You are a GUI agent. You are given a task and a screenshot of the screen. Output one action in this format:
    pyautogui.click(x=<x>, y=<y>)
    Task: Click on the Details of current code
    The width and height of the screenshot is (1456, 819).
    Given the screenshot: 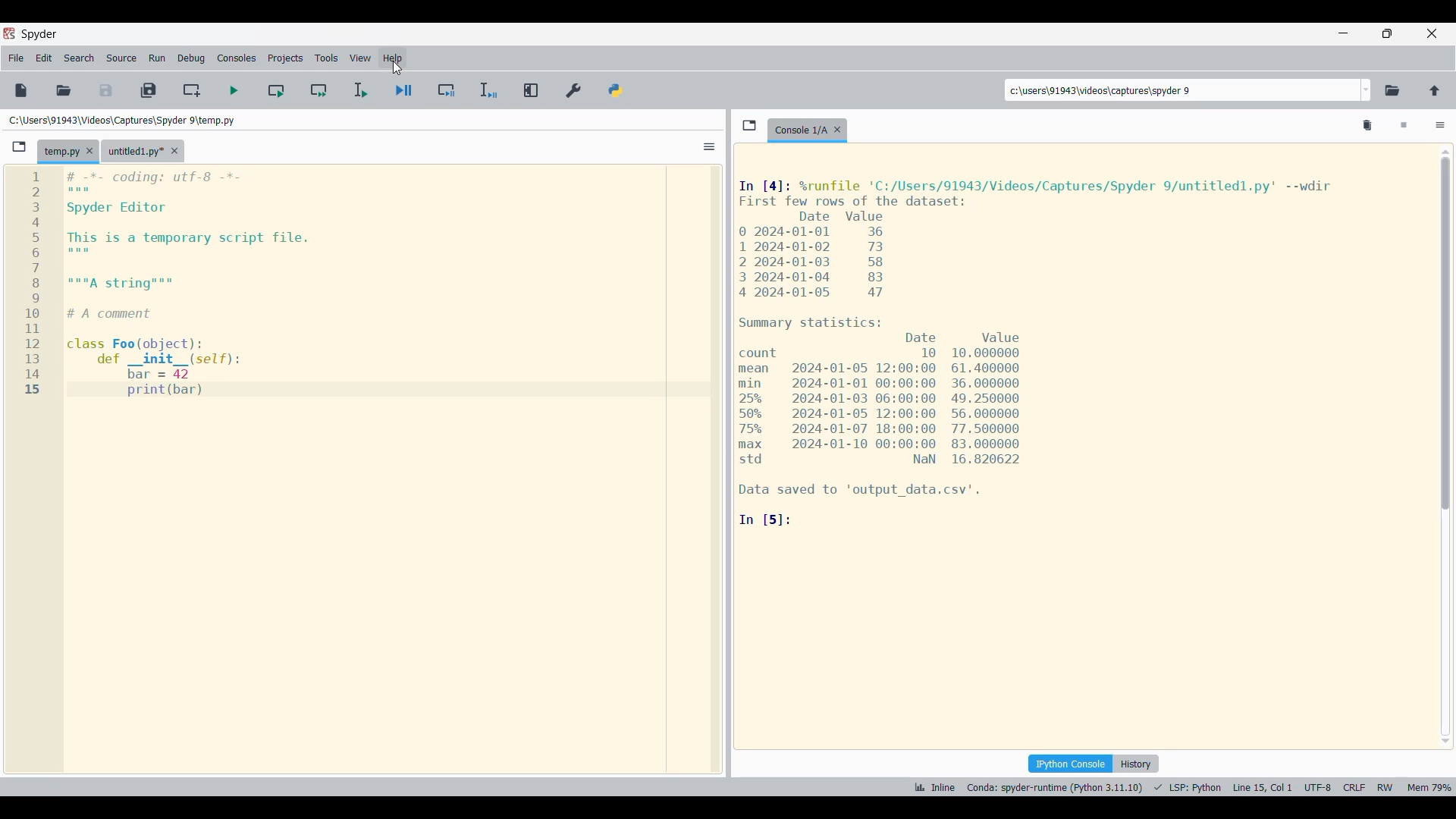 What is the action you would take?
    pyautogui.click(x=1046, y=353)
    